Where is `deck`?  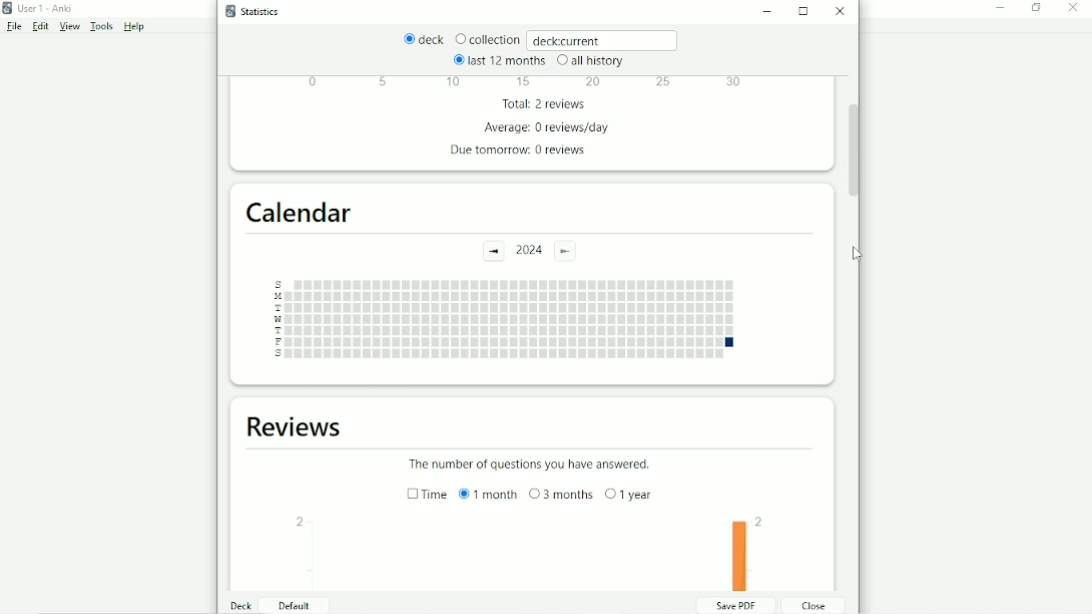 deck is located at coordinates (424, 40).